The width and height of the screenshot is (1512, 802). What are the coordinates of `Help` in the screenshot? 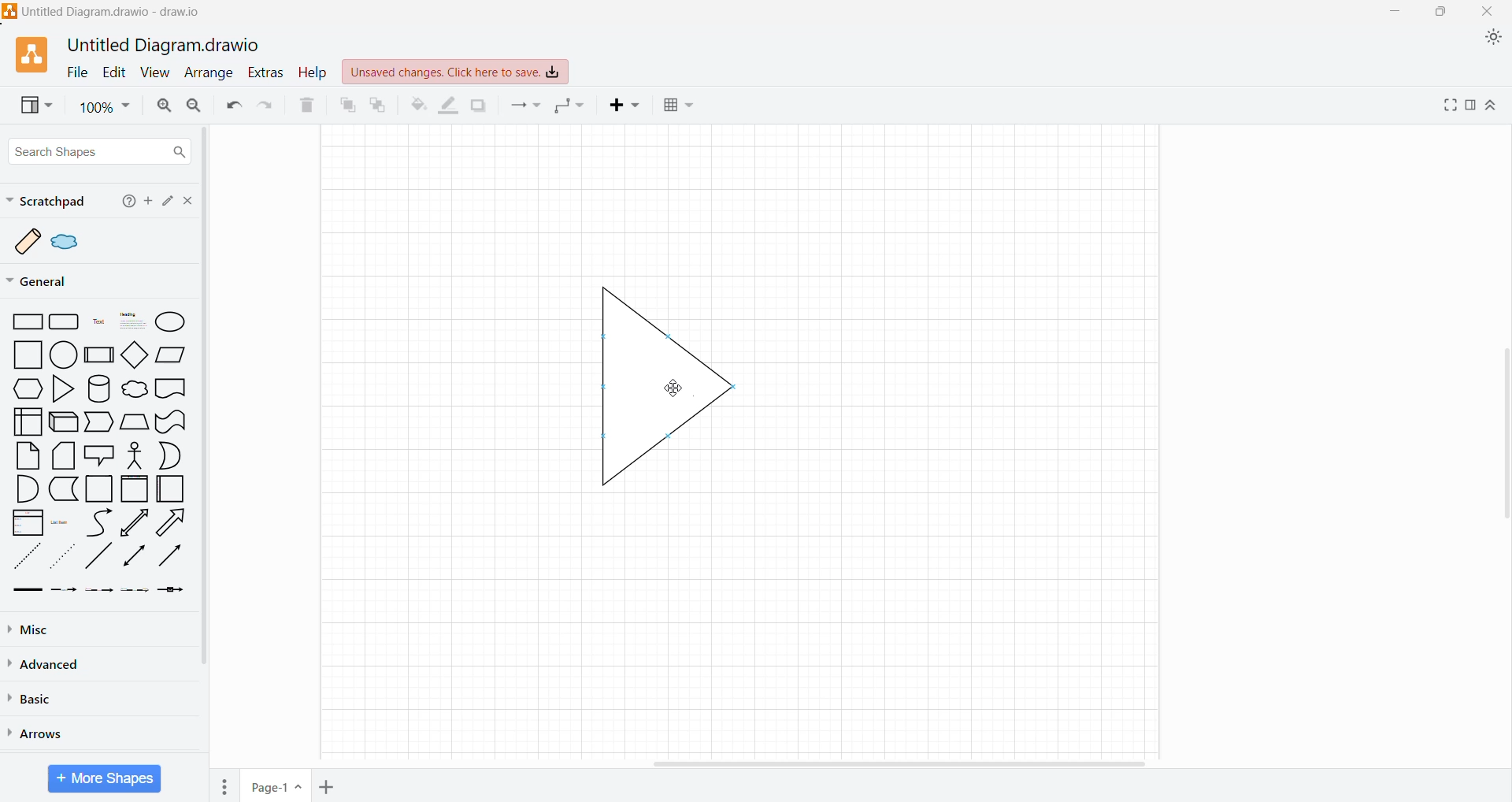 It's located at (315, 72).